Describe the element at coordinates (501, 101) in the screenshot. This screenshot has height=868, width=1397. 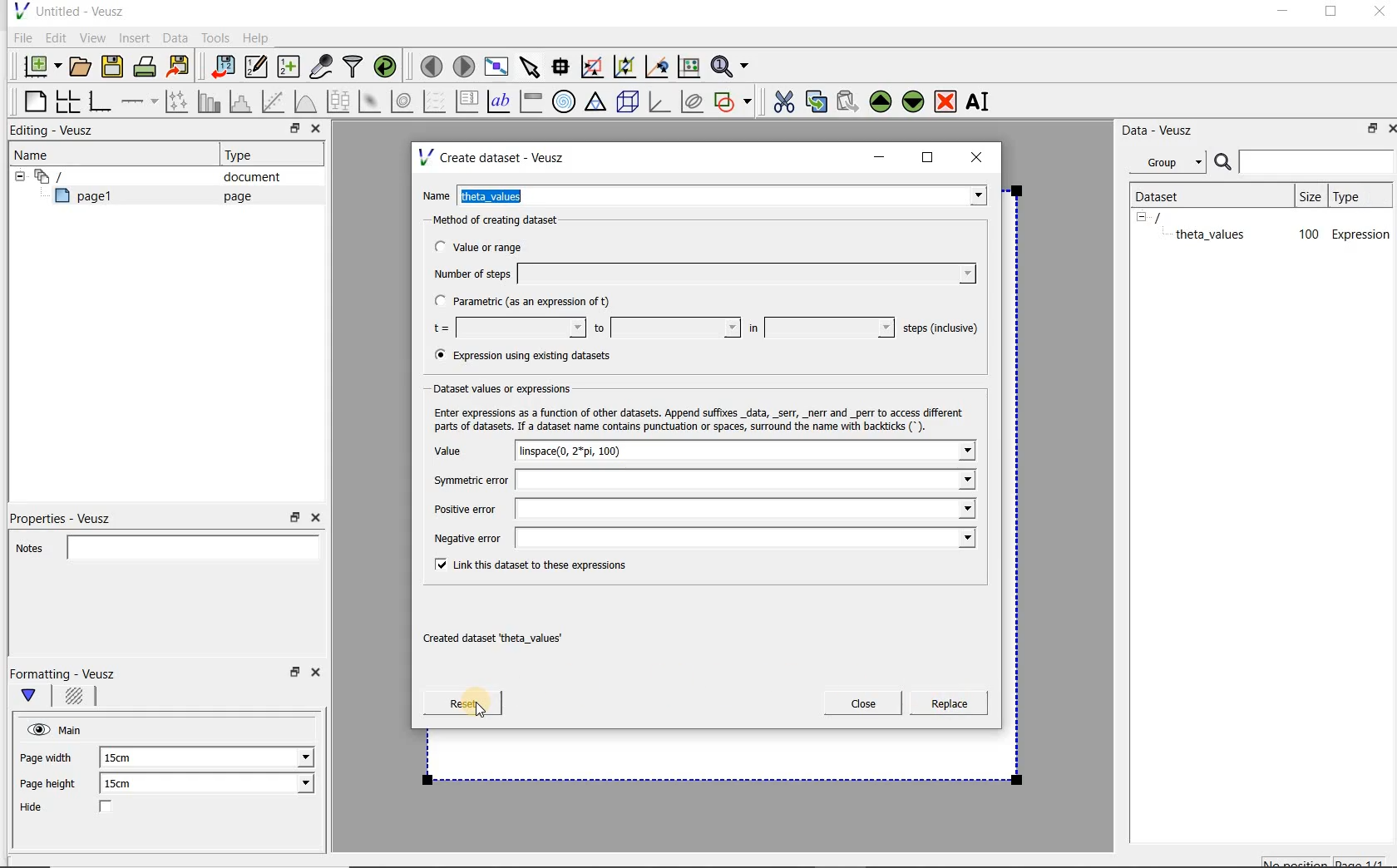
I see `text label` at that location.